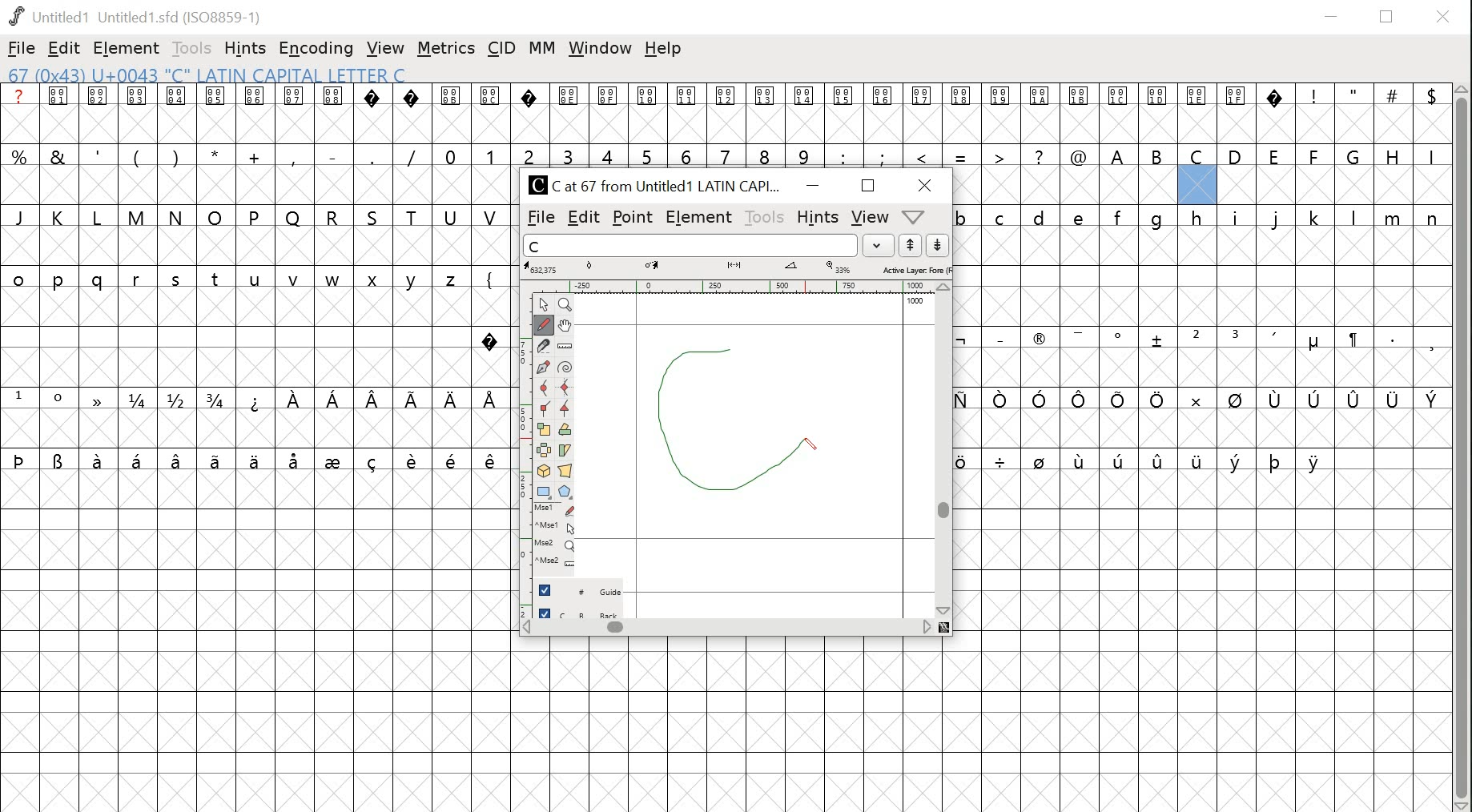 The width and height of the screenshot is (1472, 812). I want to click on help, so click(664, 50).